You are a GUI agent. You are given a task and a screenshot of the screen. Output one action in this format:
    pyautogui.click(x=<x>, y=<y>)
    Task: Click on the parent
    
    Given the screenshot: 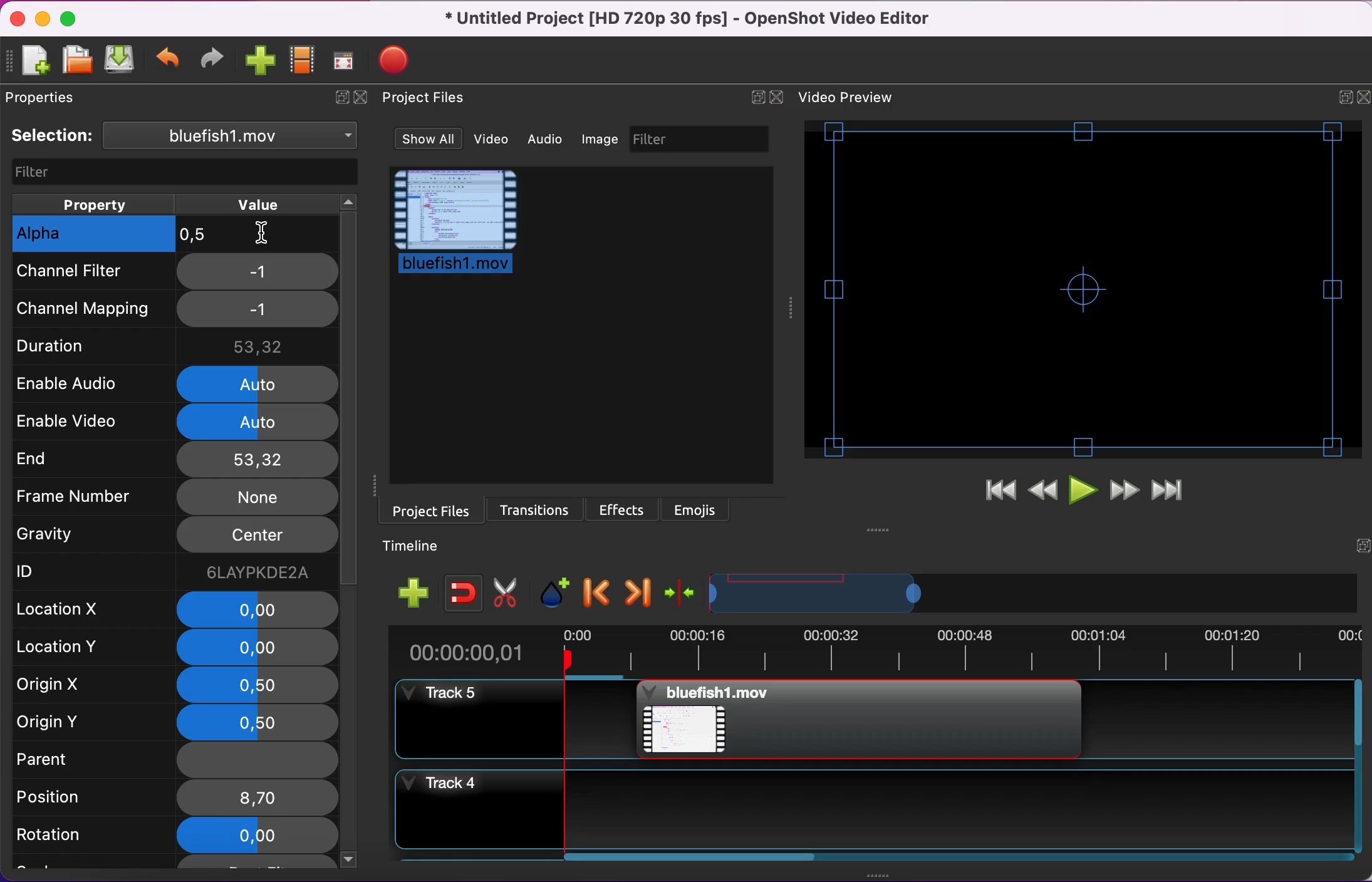 What is the action you would take?
    pyautogui.click(x=70, y=758)
    